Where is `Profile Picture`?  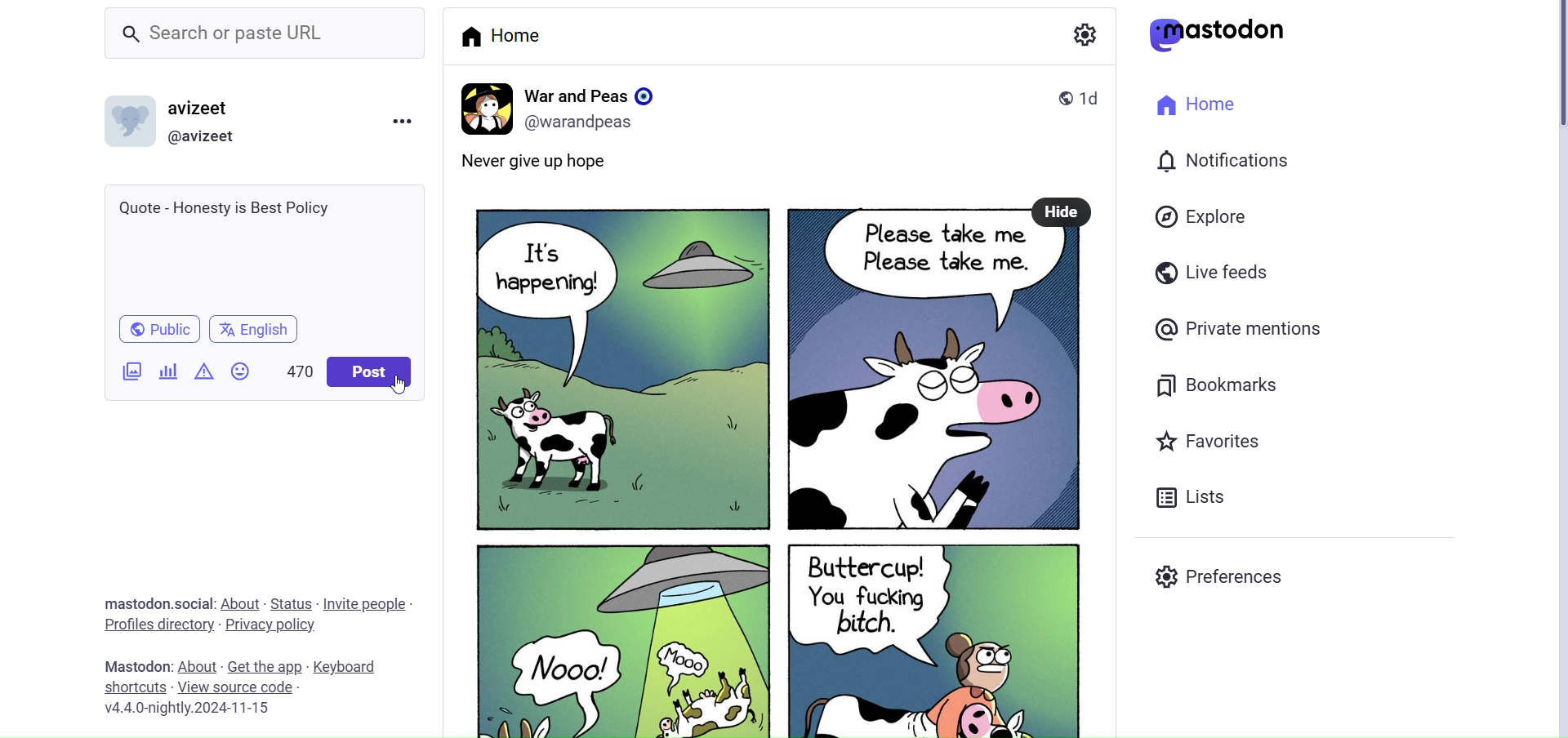
Profile Picture is located at coordinates (133, 124).